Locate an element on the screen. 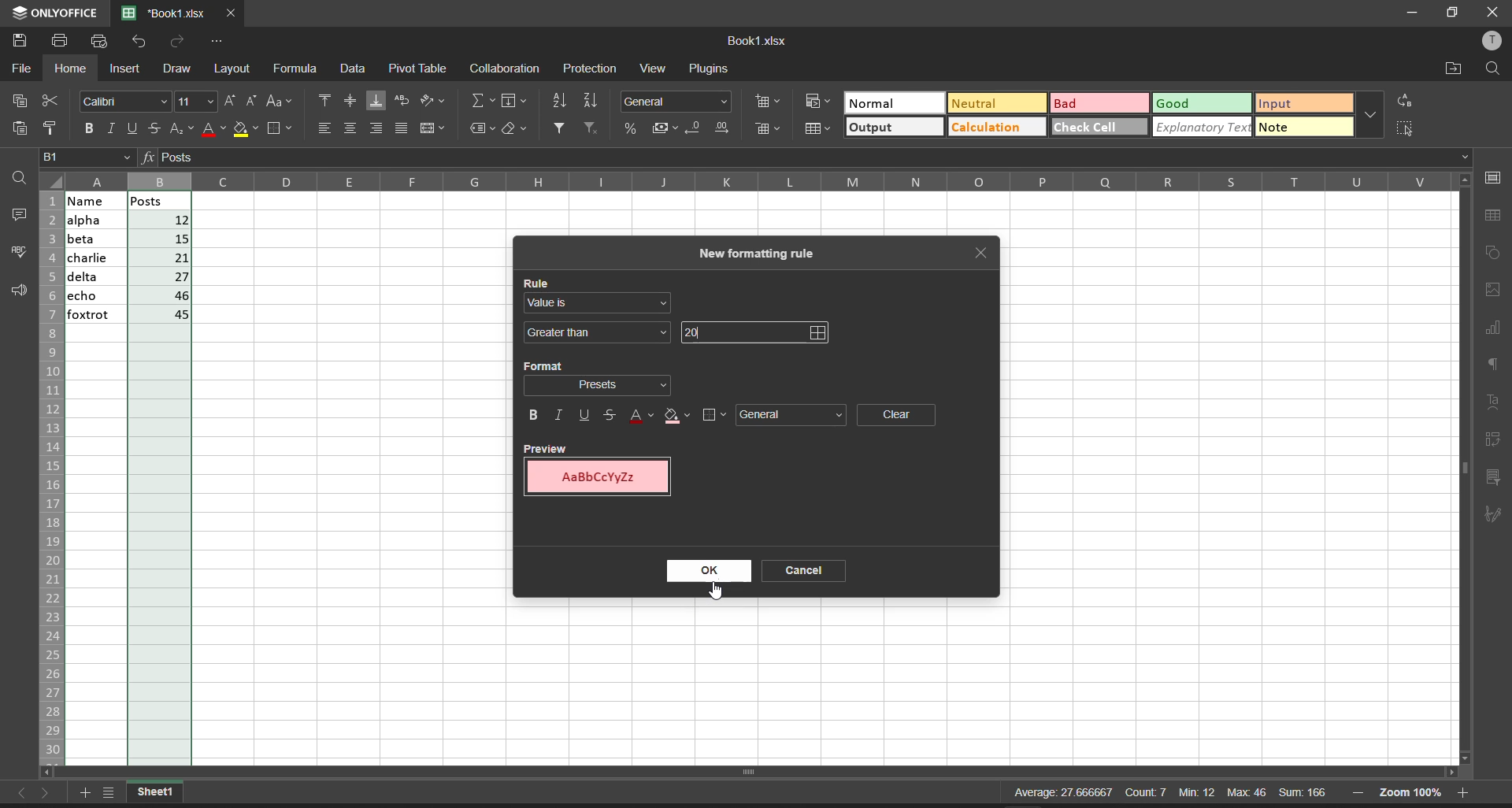 The image size is (1512, 808). table settings is located at coordinates (1497, 216).